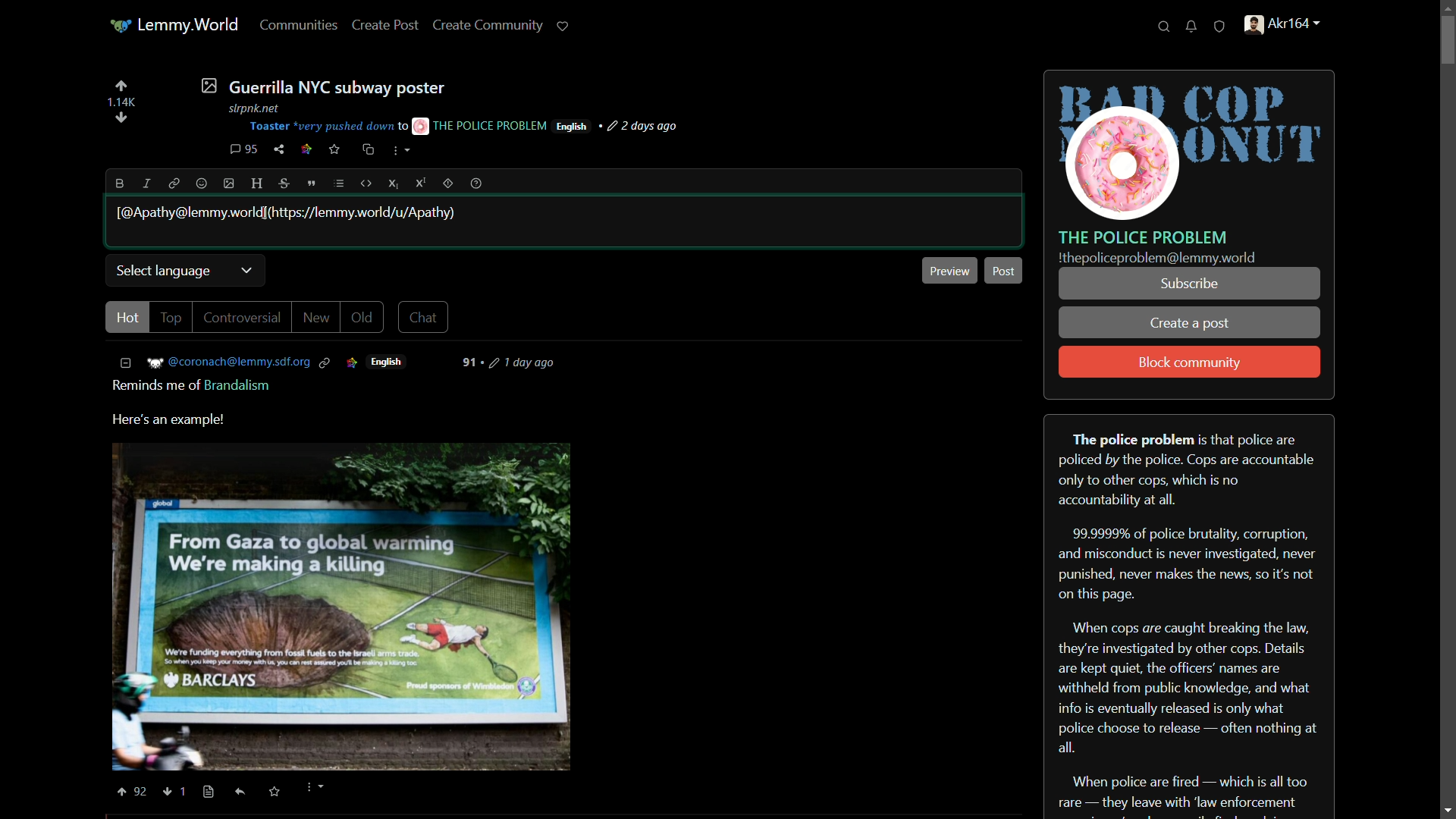  Describe the element at coordinates (121, 184) in the screenshot. I see `bold` at that location.